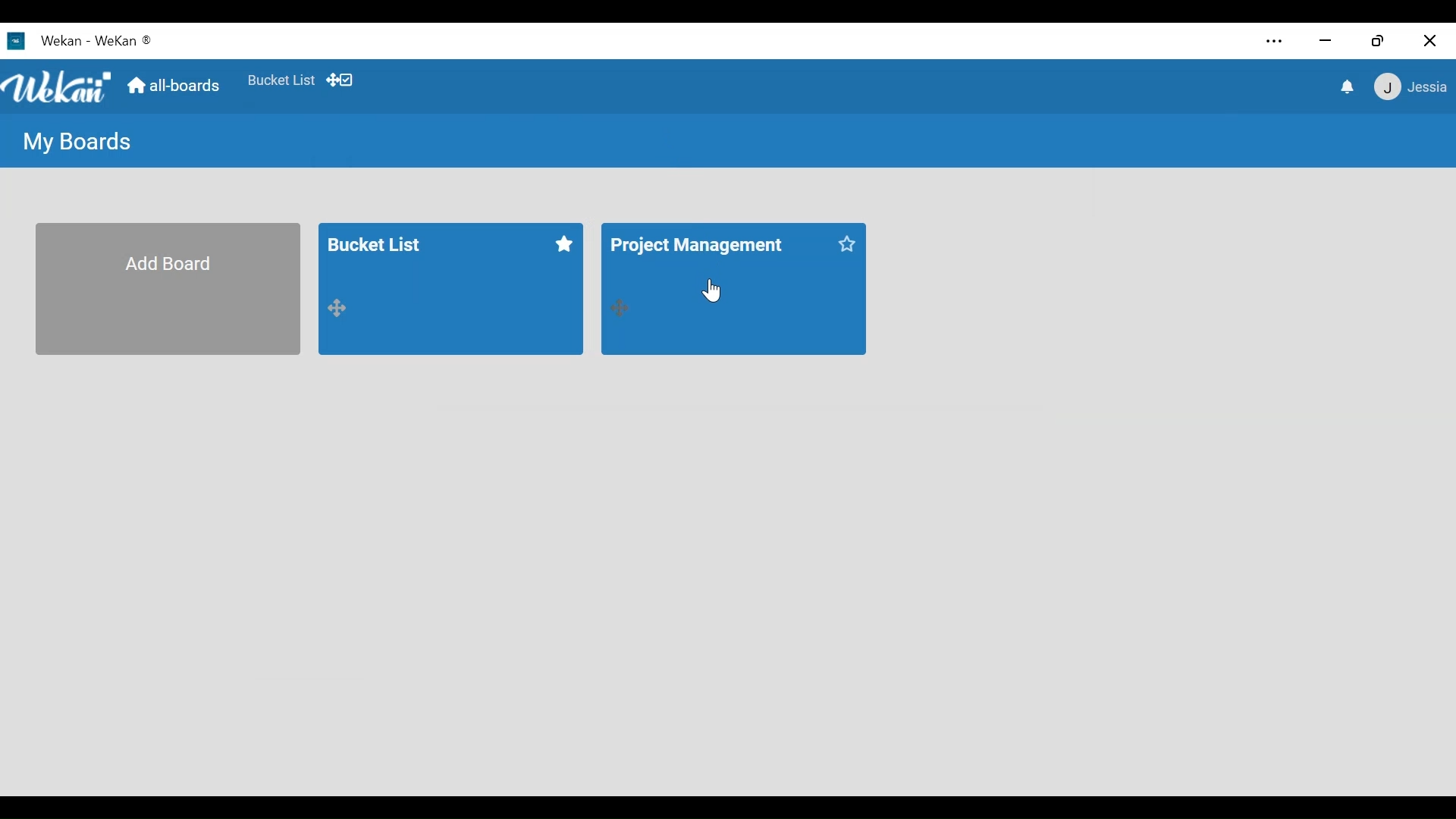 This screenshot has height=819, width=1456. Describe the element at coordinates (343, 80) in the screenshot. I see `Show Desktop drag handles` at that location.